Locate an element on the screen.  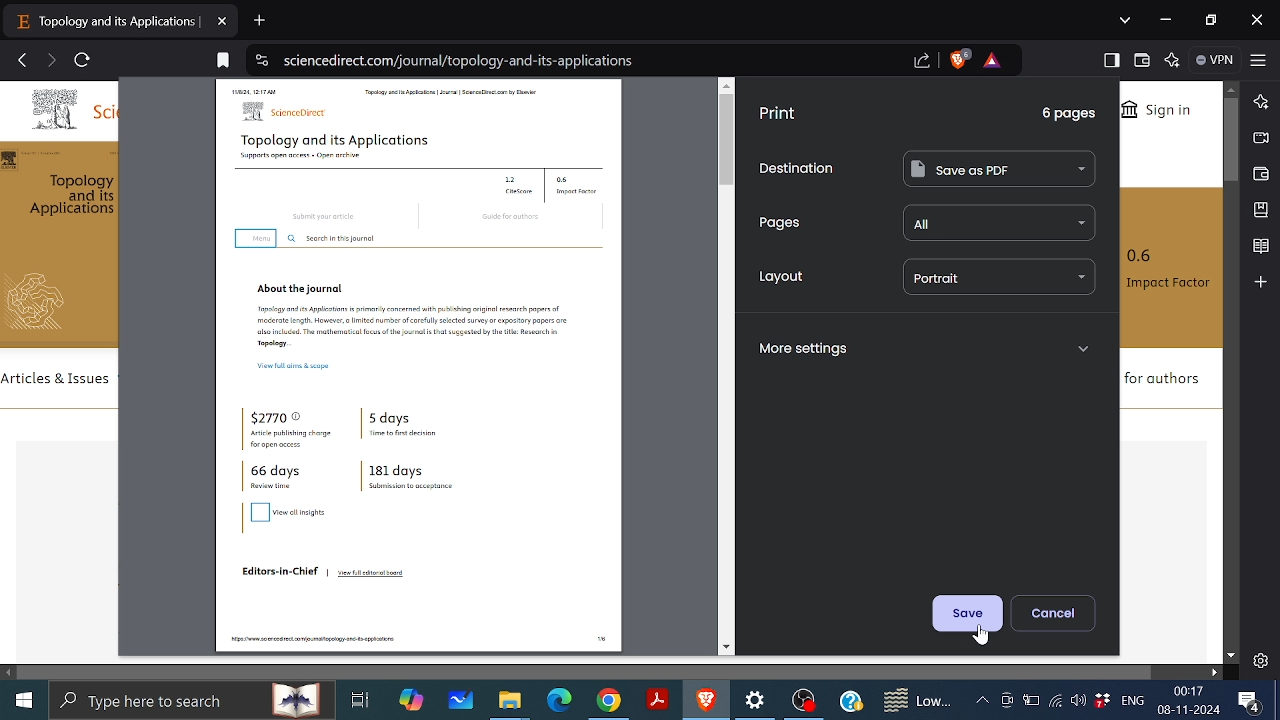
view all insights is located at coordinates (292, 512).